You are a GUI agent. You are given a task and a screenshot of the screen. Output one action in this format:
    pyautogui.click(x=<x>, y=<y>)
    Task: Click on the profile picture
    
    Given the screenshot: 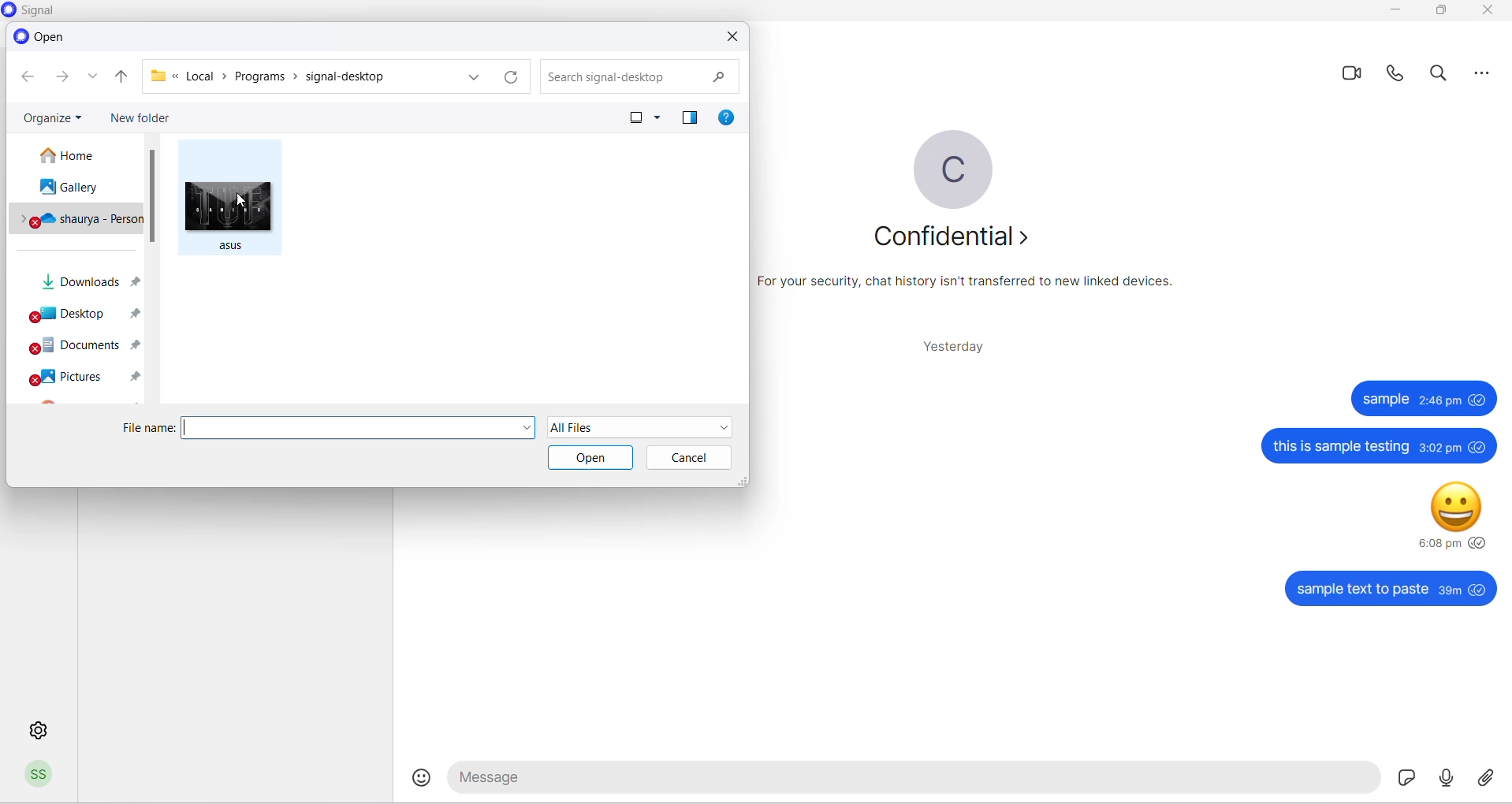 What is the action you would take?
    pyautogui.click(x=953, y=169)
    